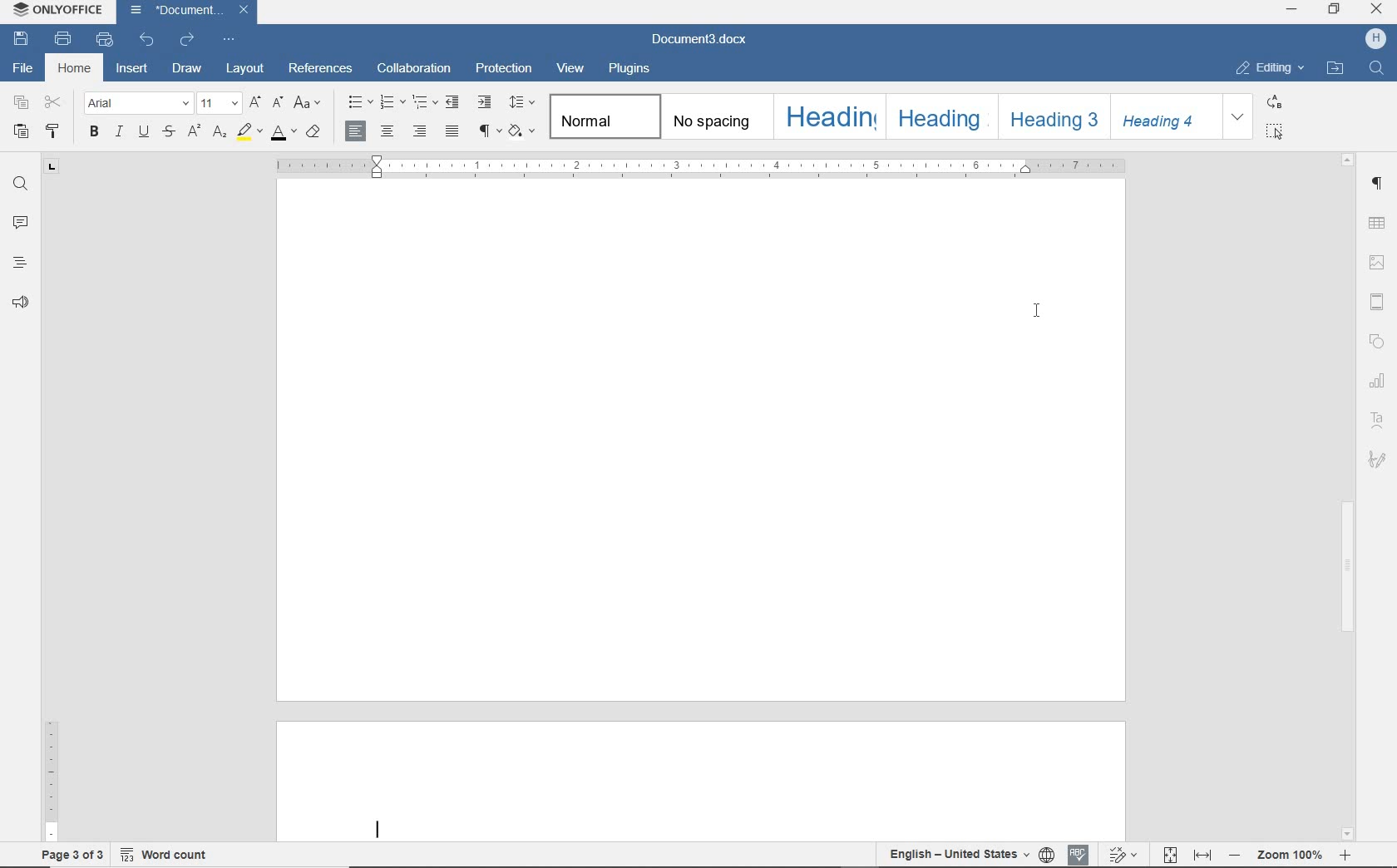 This screenshot has width=1397, height=868. Describe the element at coordinates (1336, 70) in the screenshot. I see `OPEN FILE LOCATION` at that location.